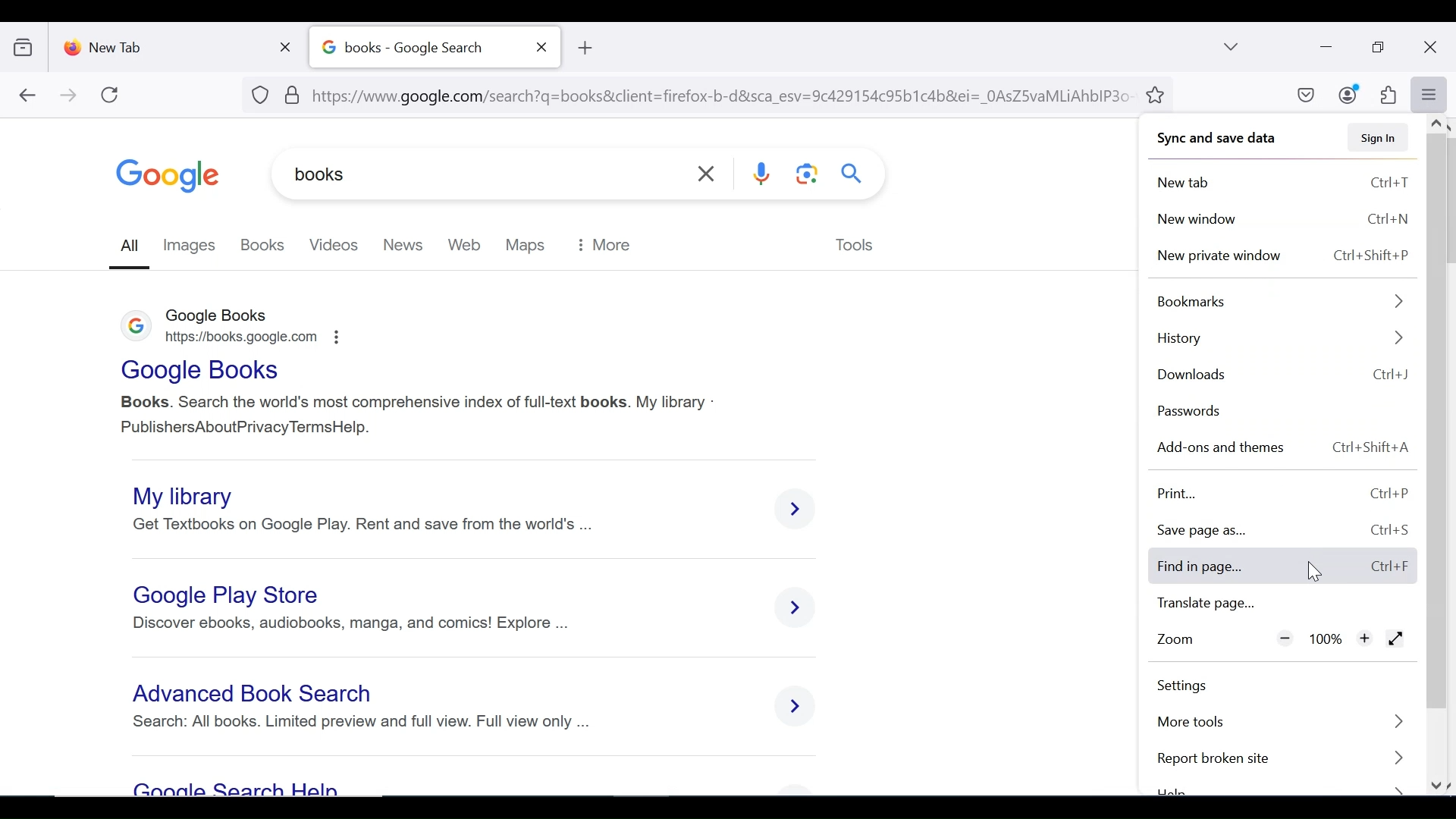  Describe the element at coordinates (202, 372) in the screenshot. I see `Google Books` at that location.